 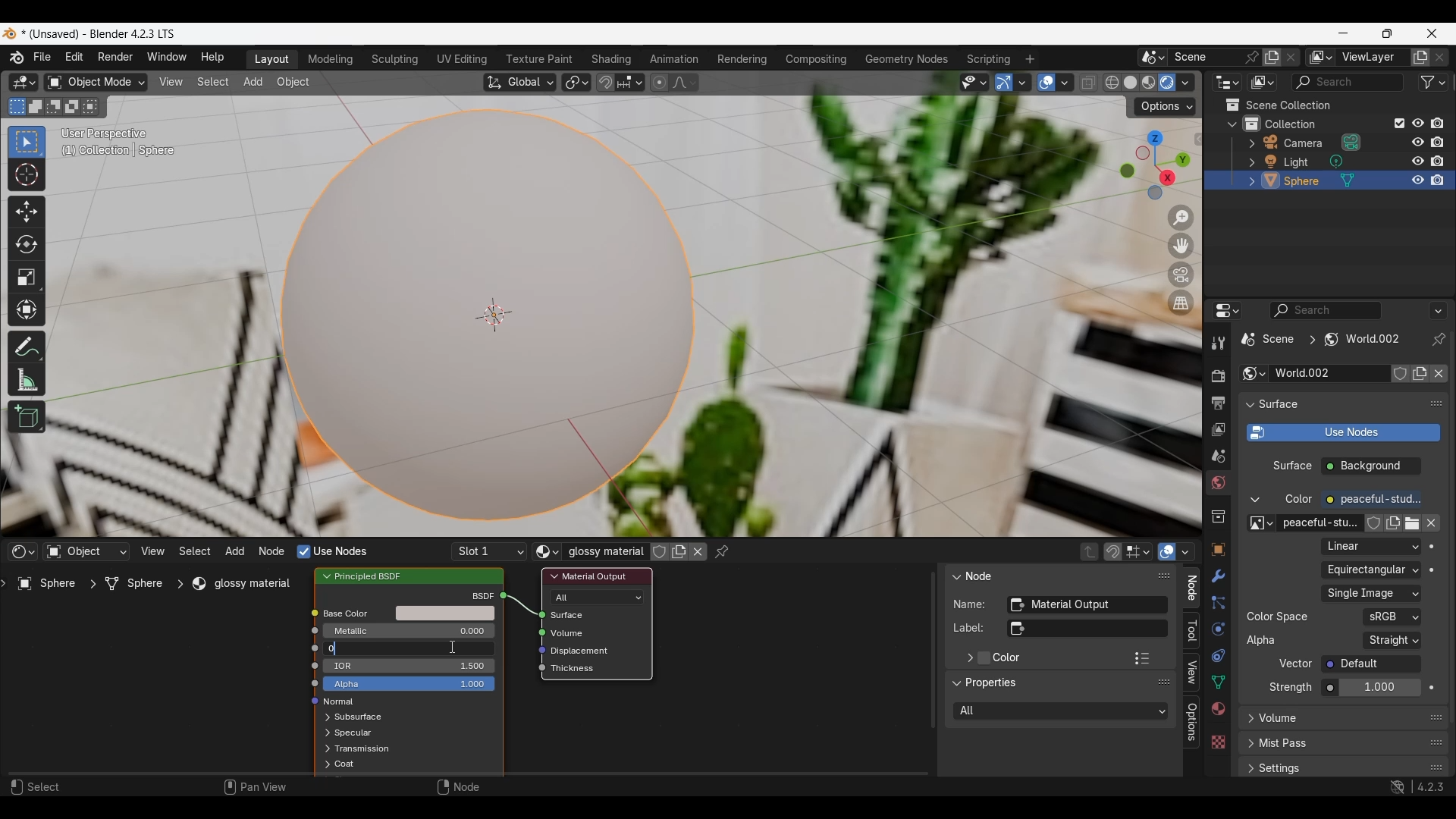 What do you see at coordinates (519, 83) in the screenshot?
I see `Transformation orientation: global` at bounding box center [519, 83].